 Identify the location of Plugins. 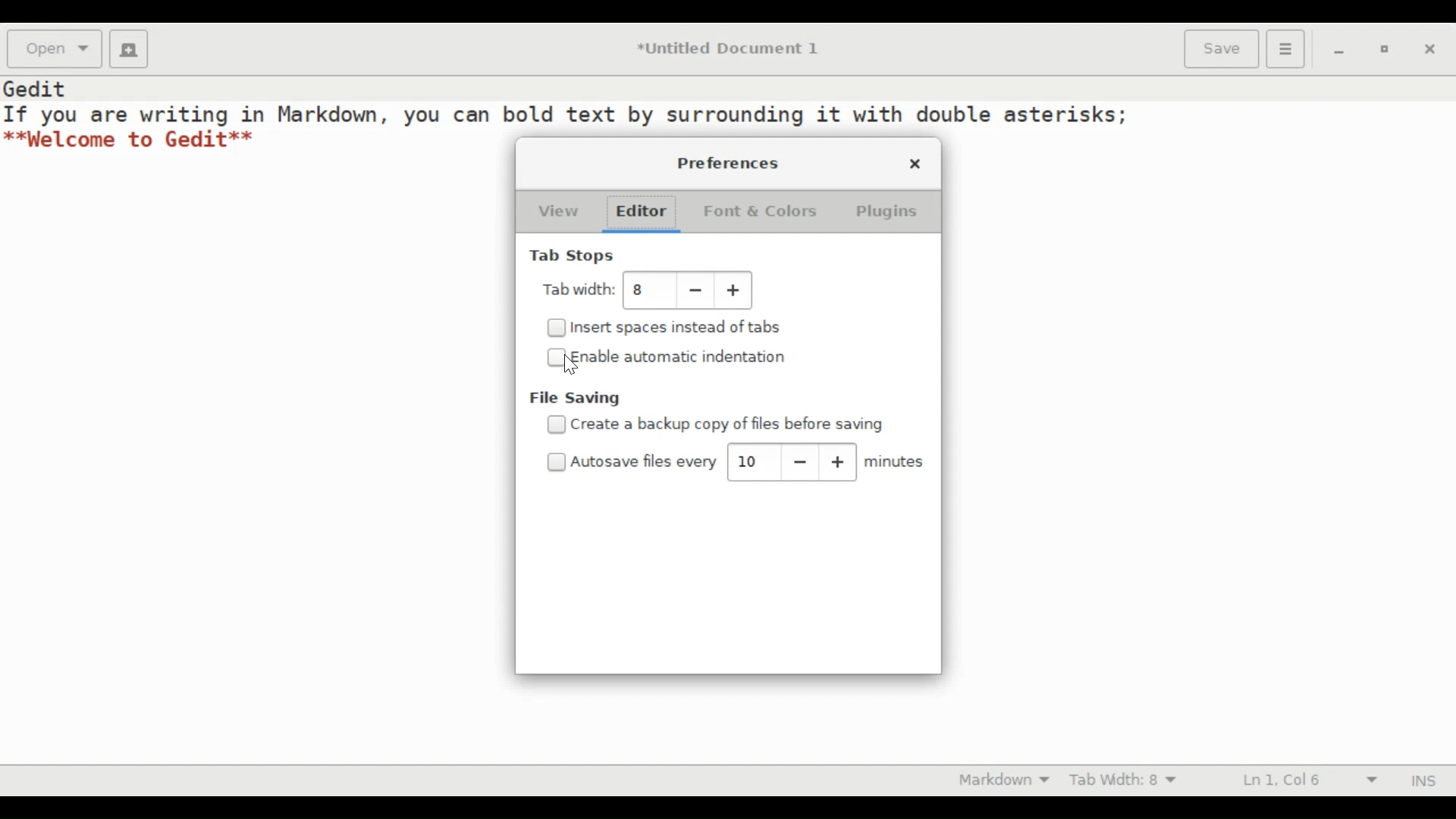
(885, 212).